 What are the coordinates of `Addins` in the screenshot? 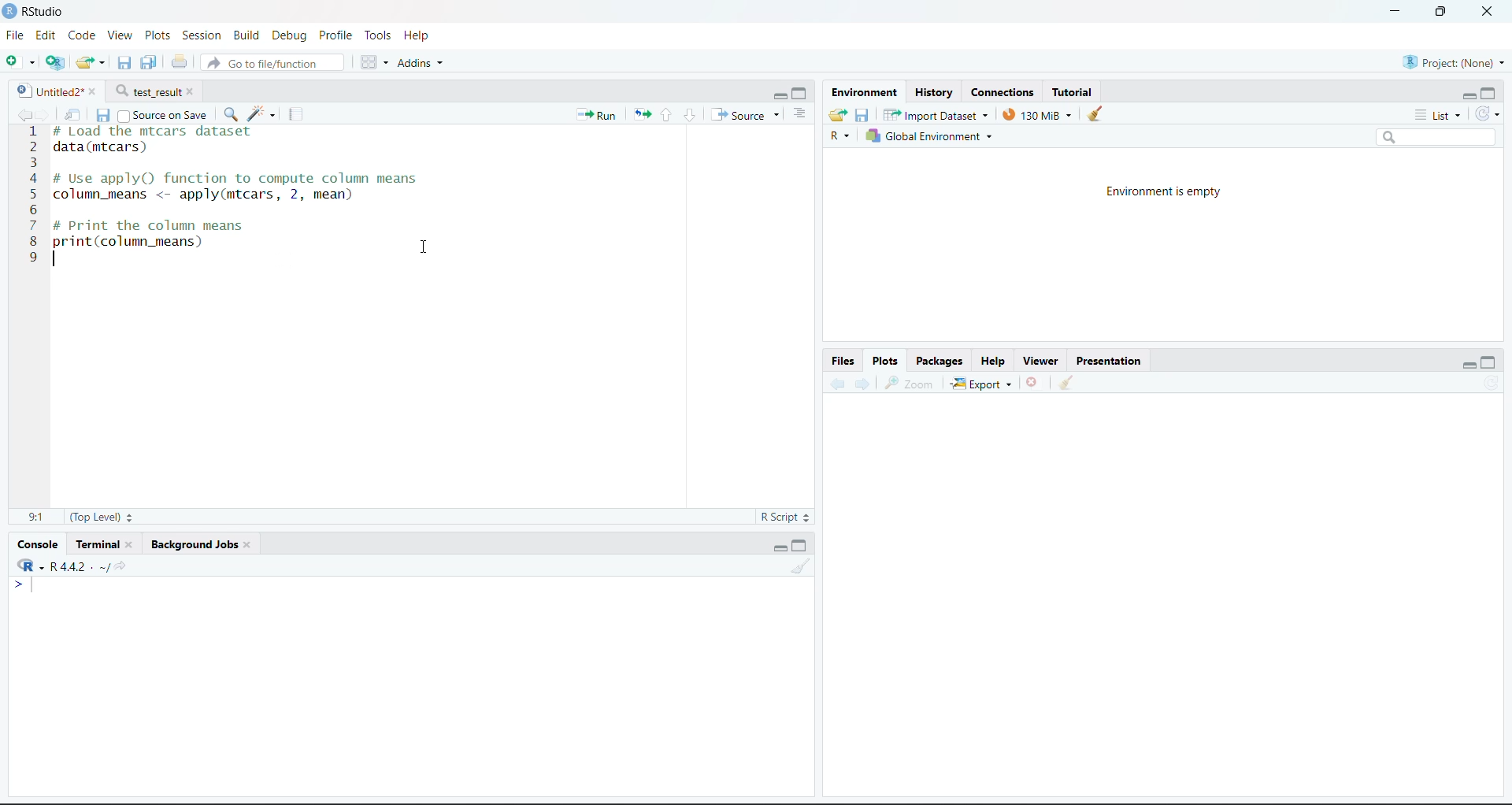 It's located at (422, 63).